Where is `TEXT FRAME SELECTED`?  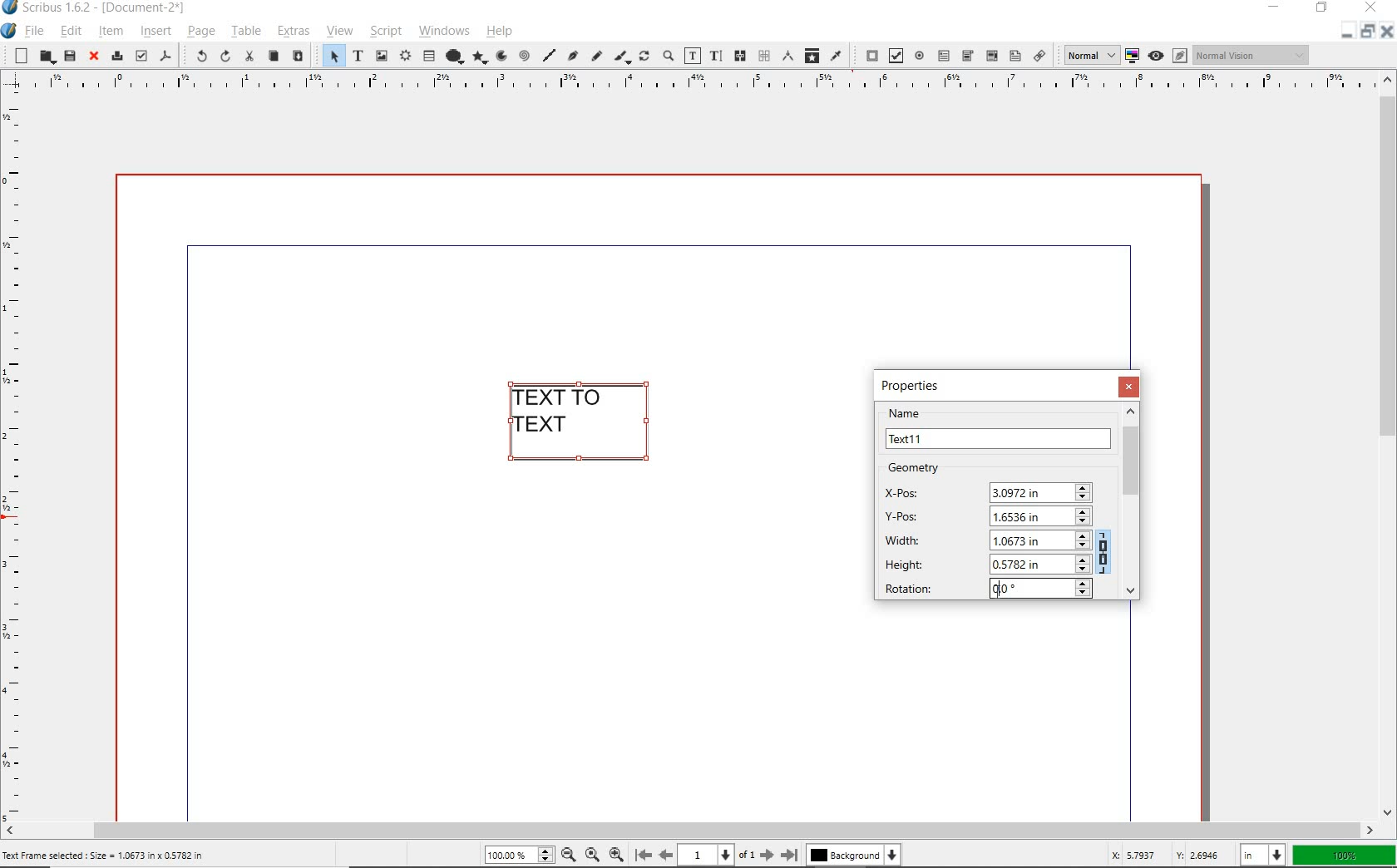
TEXT FRAME SELECTED is located at coordinates (585, 423).